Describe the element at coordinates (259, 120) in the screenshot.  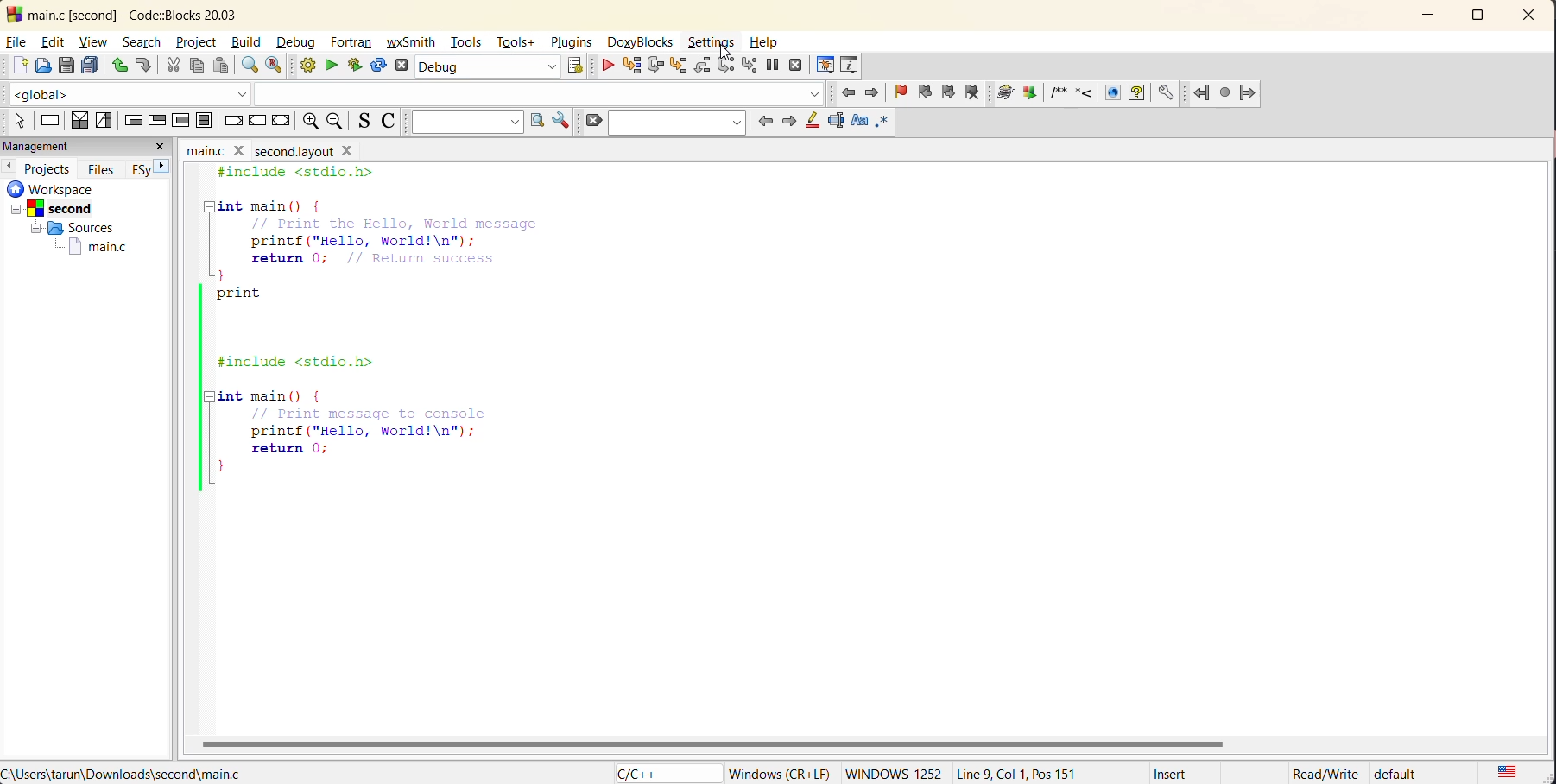
I see `continue instruction` at that location.